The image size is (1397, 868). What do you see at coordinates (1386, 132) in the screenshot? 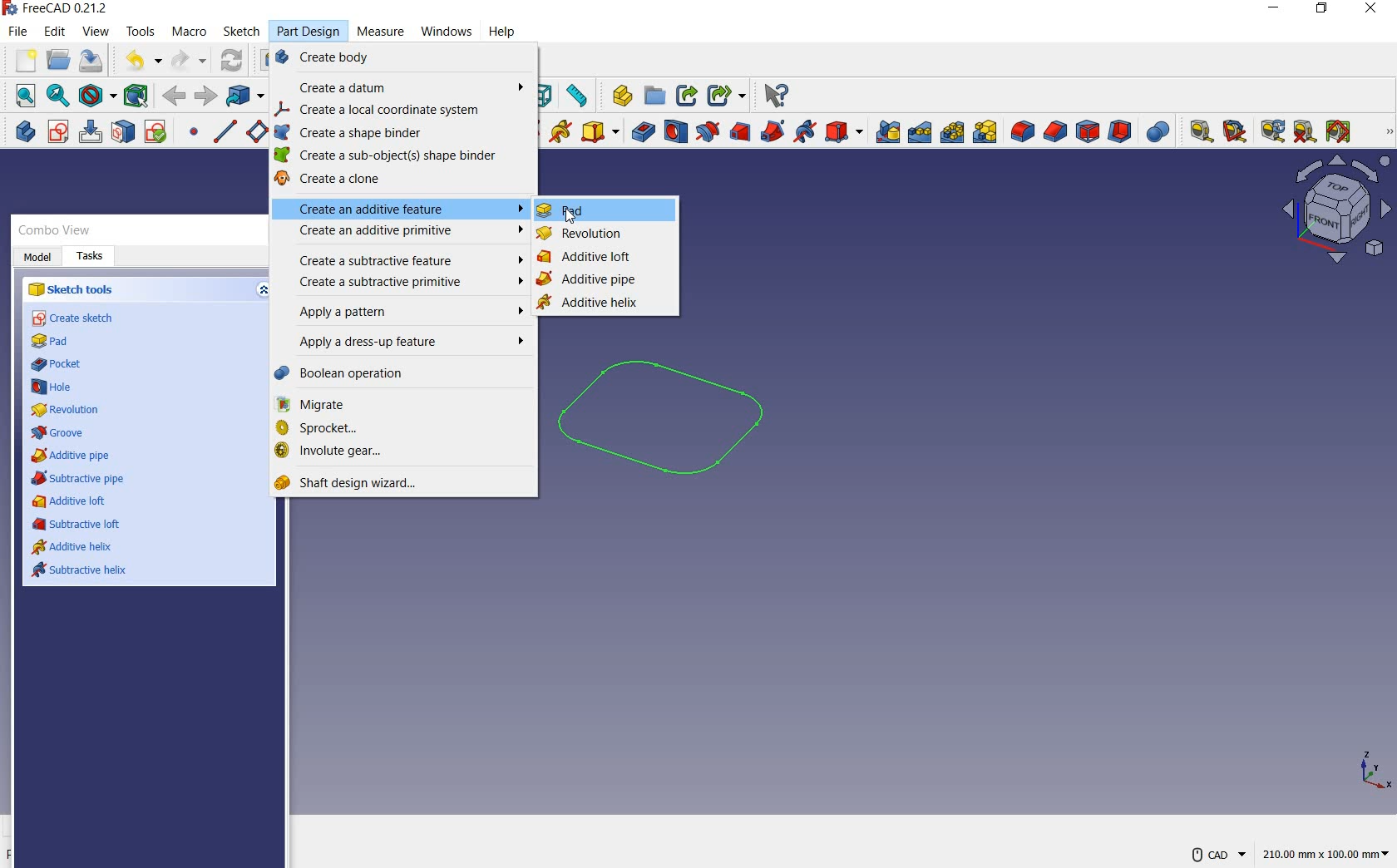
I see `measure` at bounding box center [1386, 132].